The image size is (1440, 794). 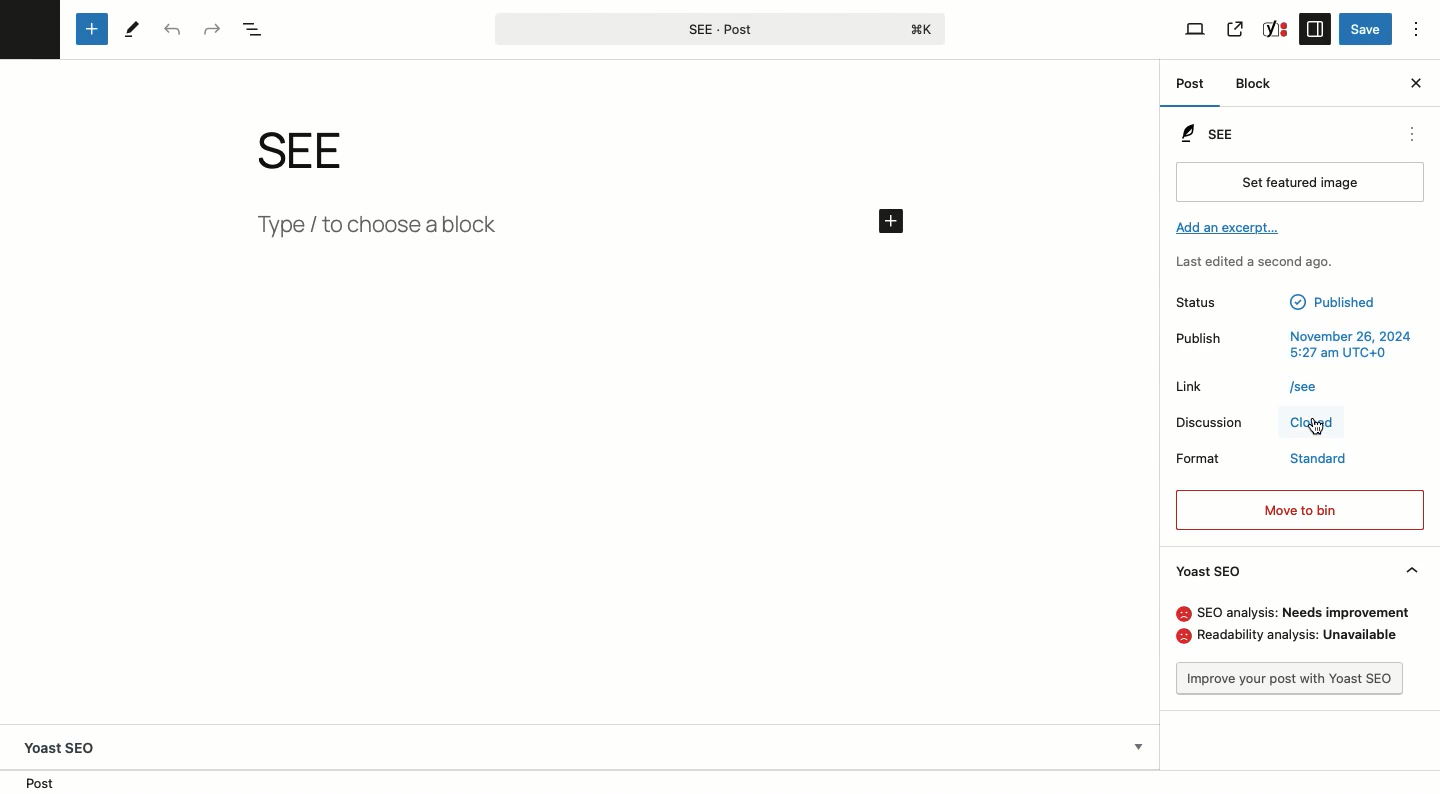 I want to click on Discussion, so click(x=1209, y=422).